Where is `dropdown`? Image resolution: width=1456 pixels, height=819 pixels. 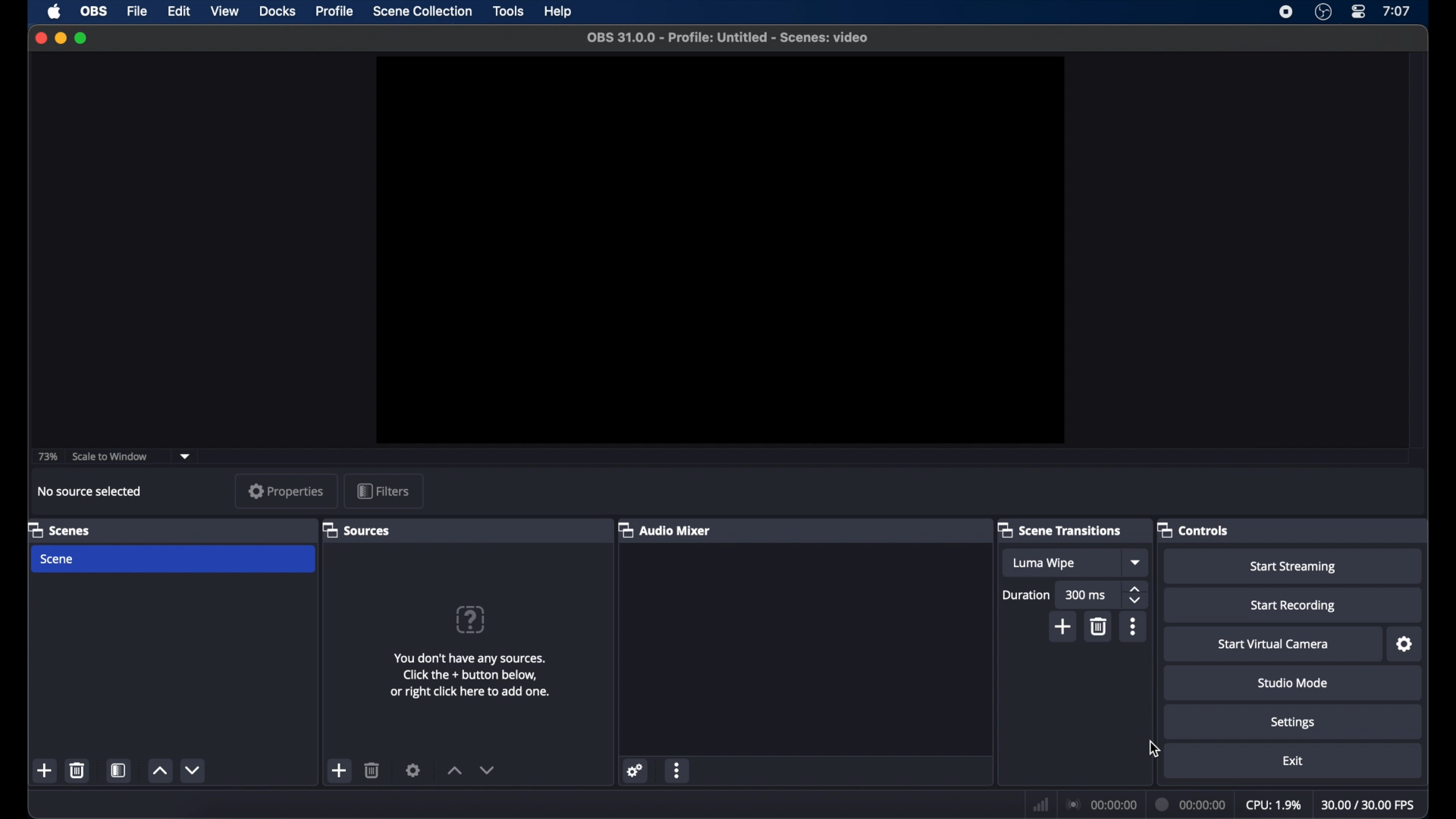 dropdown is located at coordinates (186, 456).